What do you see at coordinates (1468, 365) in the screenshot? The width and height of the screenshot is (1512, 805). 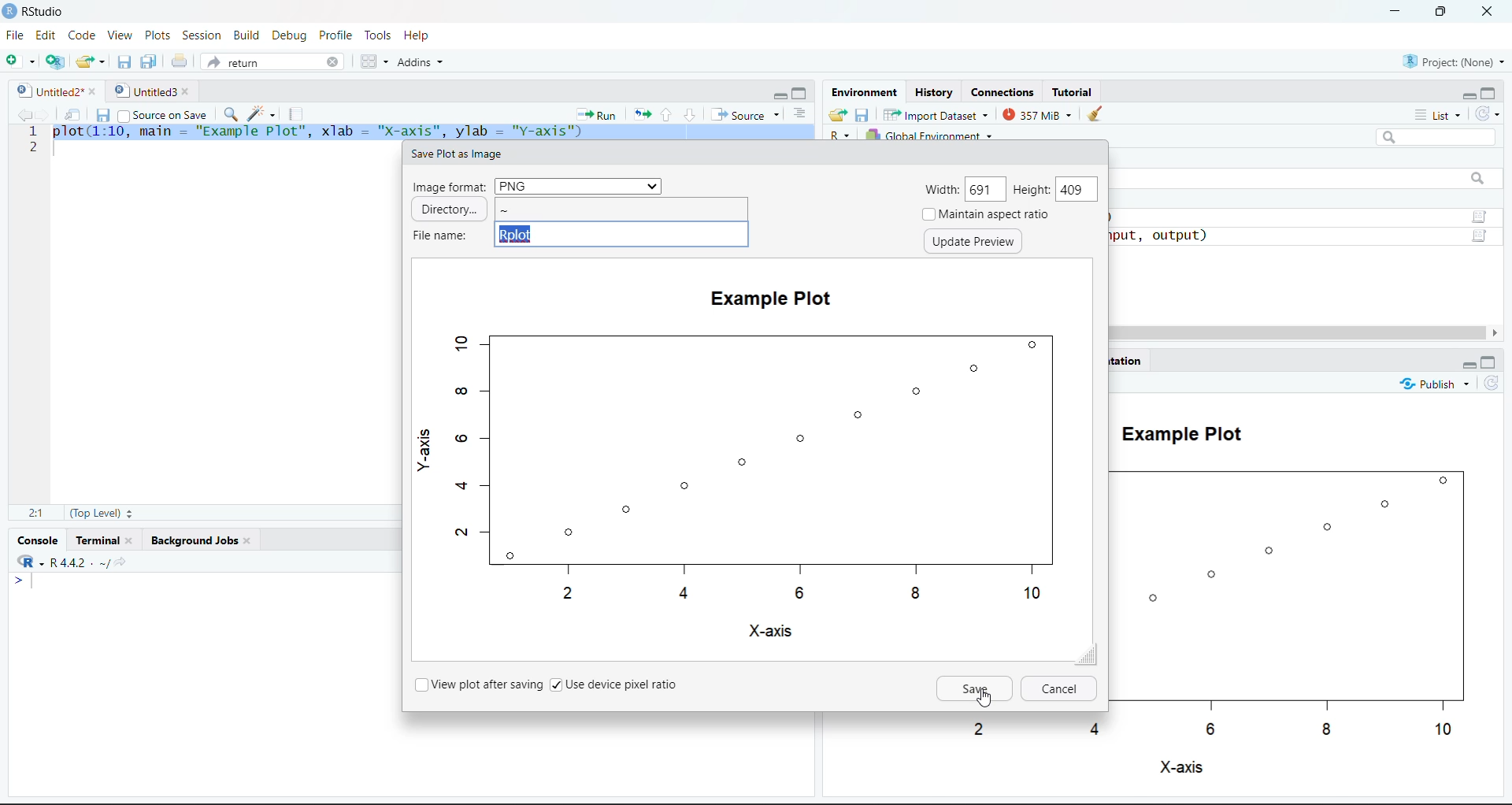 I see `Minimize` at bounding box center [1468, 365].